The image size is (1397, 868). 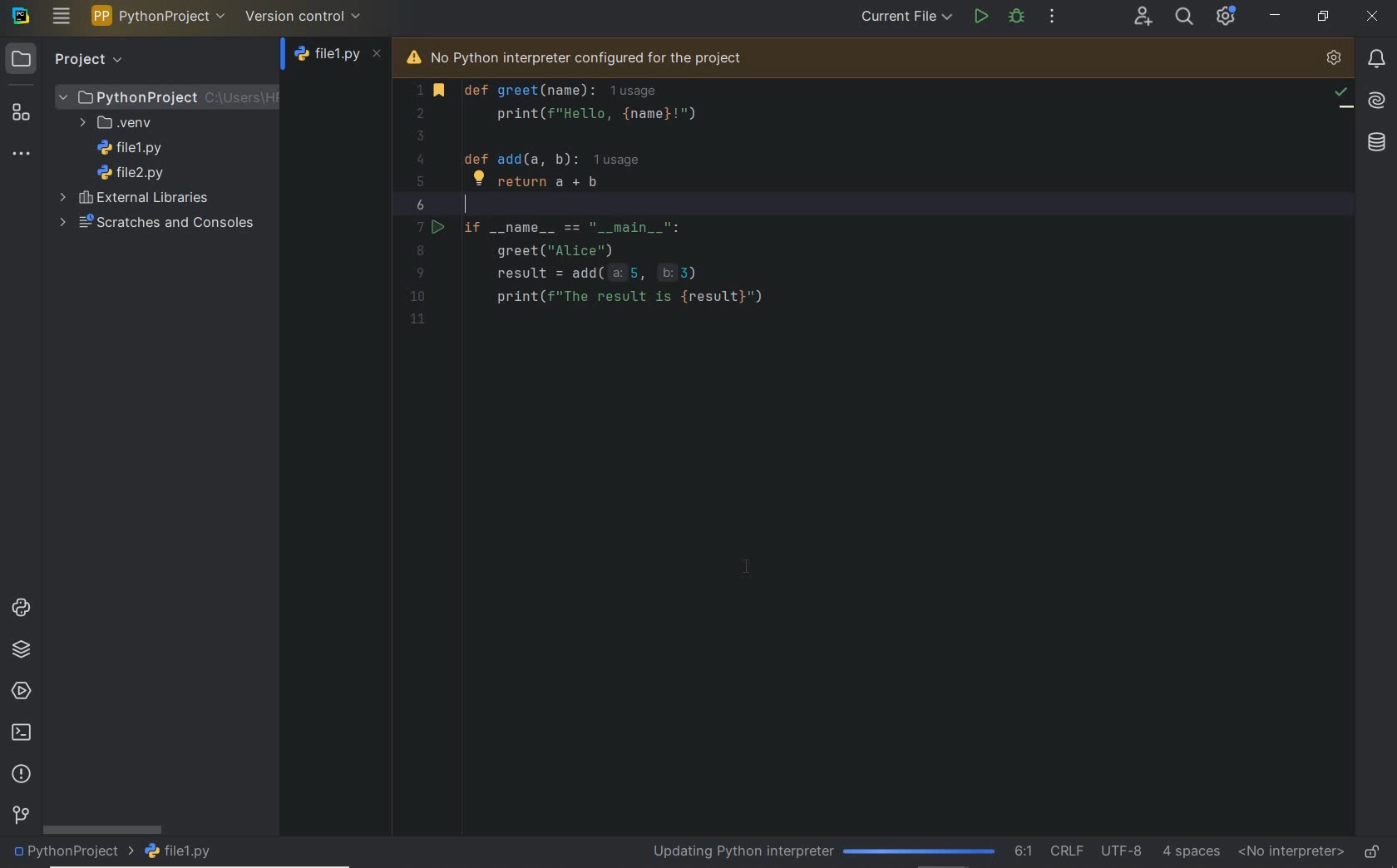 I want to click on scrollbar, so click(x=102, y=829).